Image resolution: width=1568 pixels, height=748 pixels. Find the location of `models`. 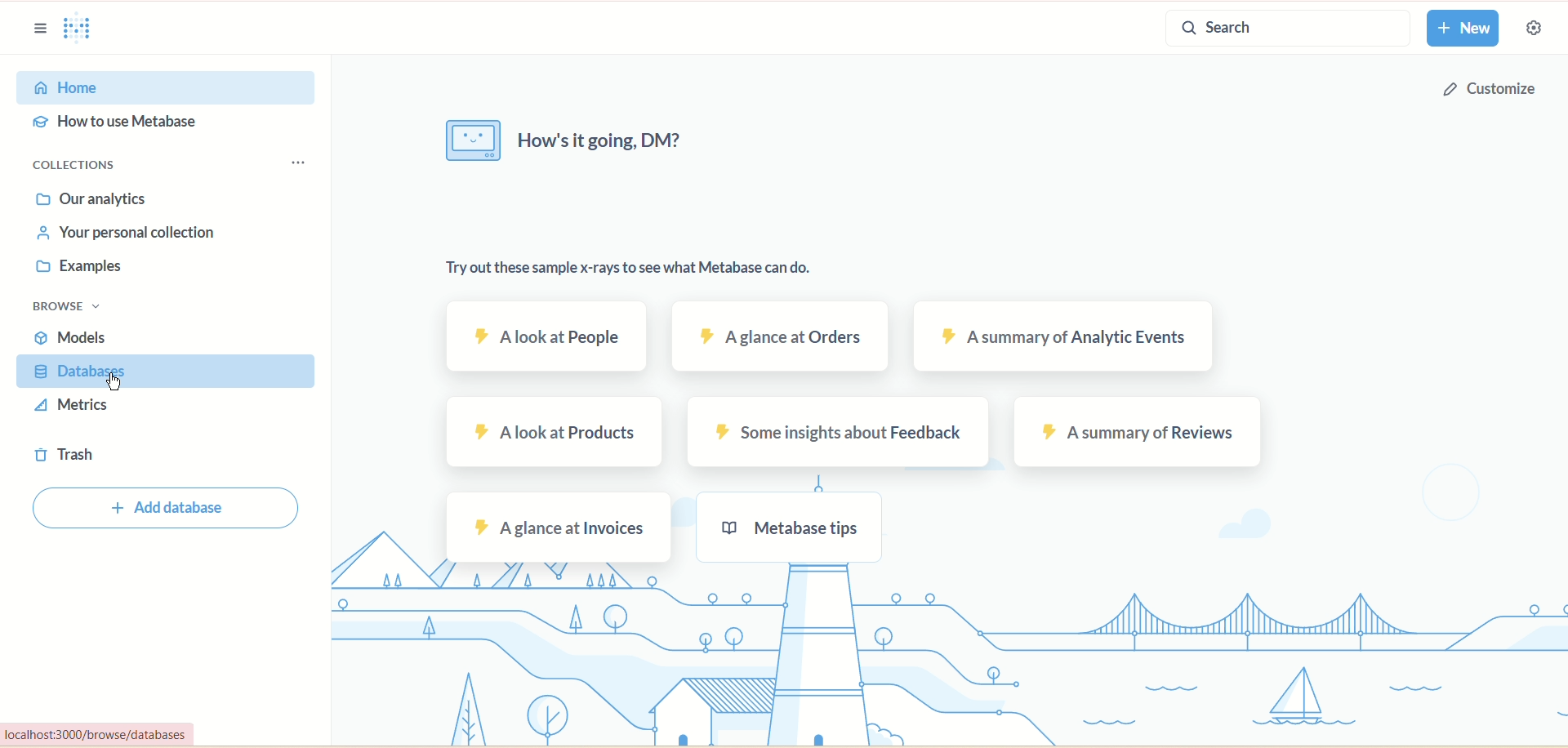

models is located at coordinates (71, 336).